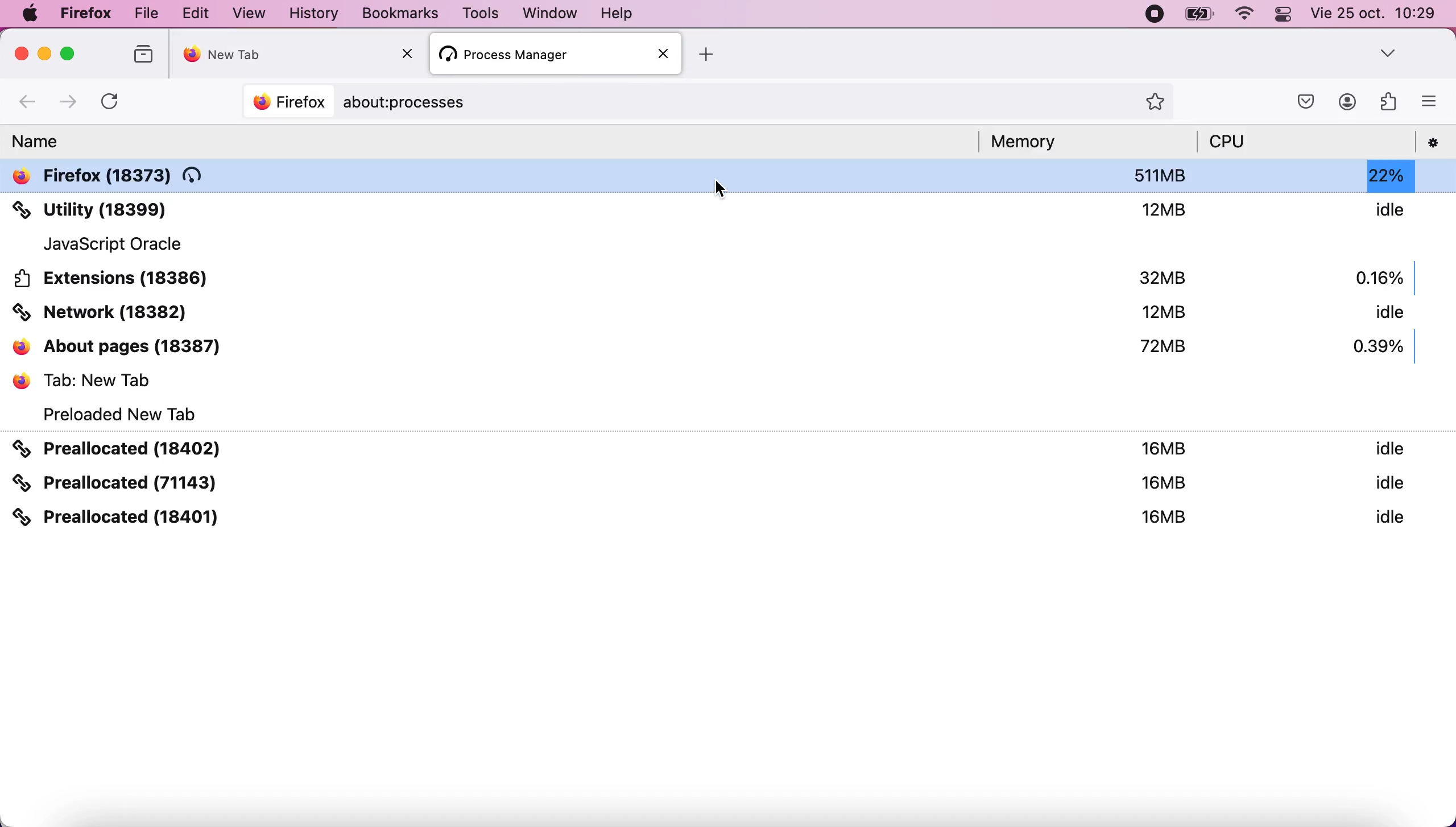  What do you see at coordinates (68, 53) in the screenshot?
I see `Maximize` at bounding box center [68, 53].